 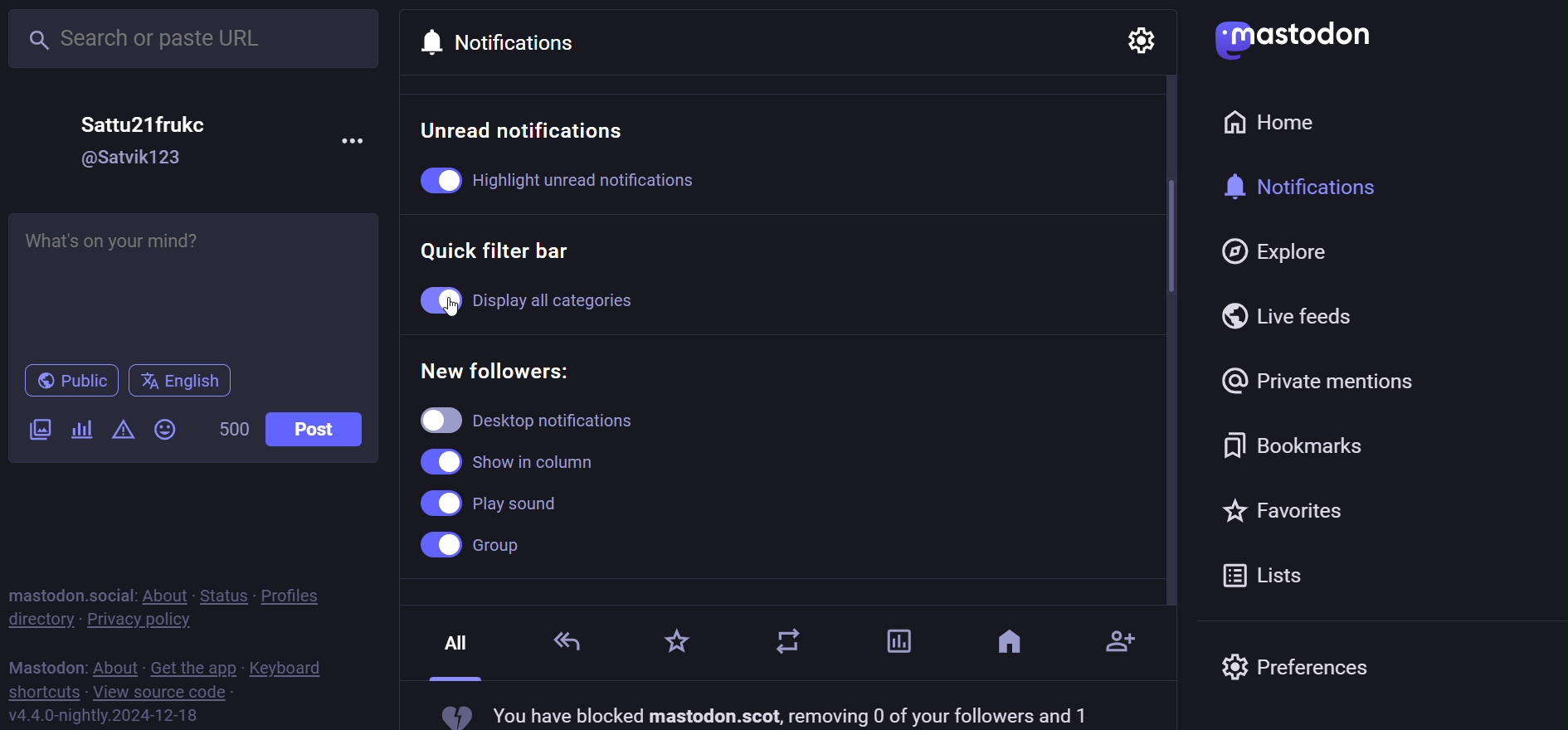 What do you see at coordinates (1319, 380) in the screenshot?
I see `private mentions` at bounding box center [1319, 380].